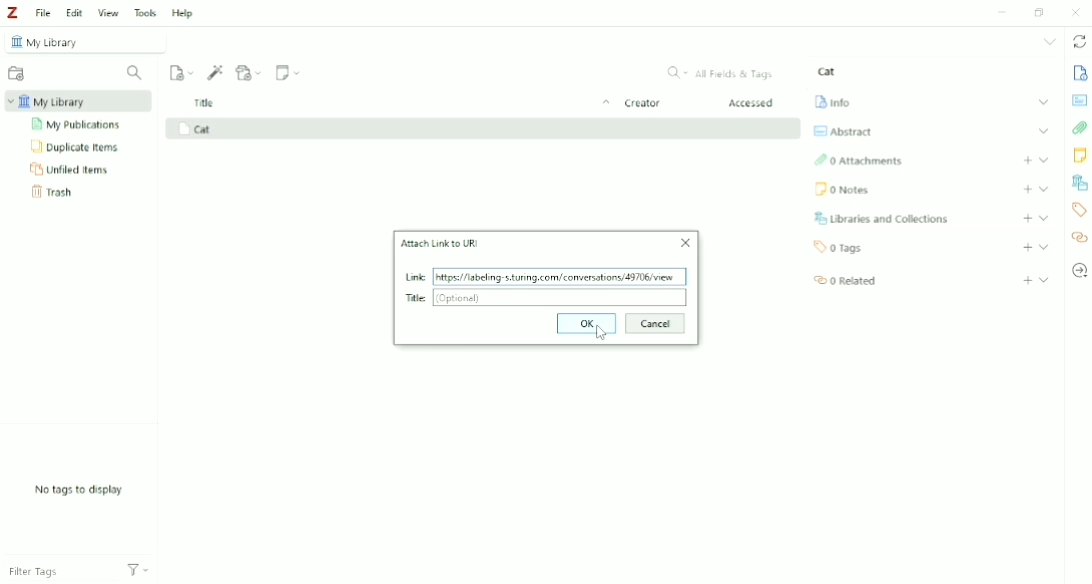  I want to click on Attachments, so click(858, 161).